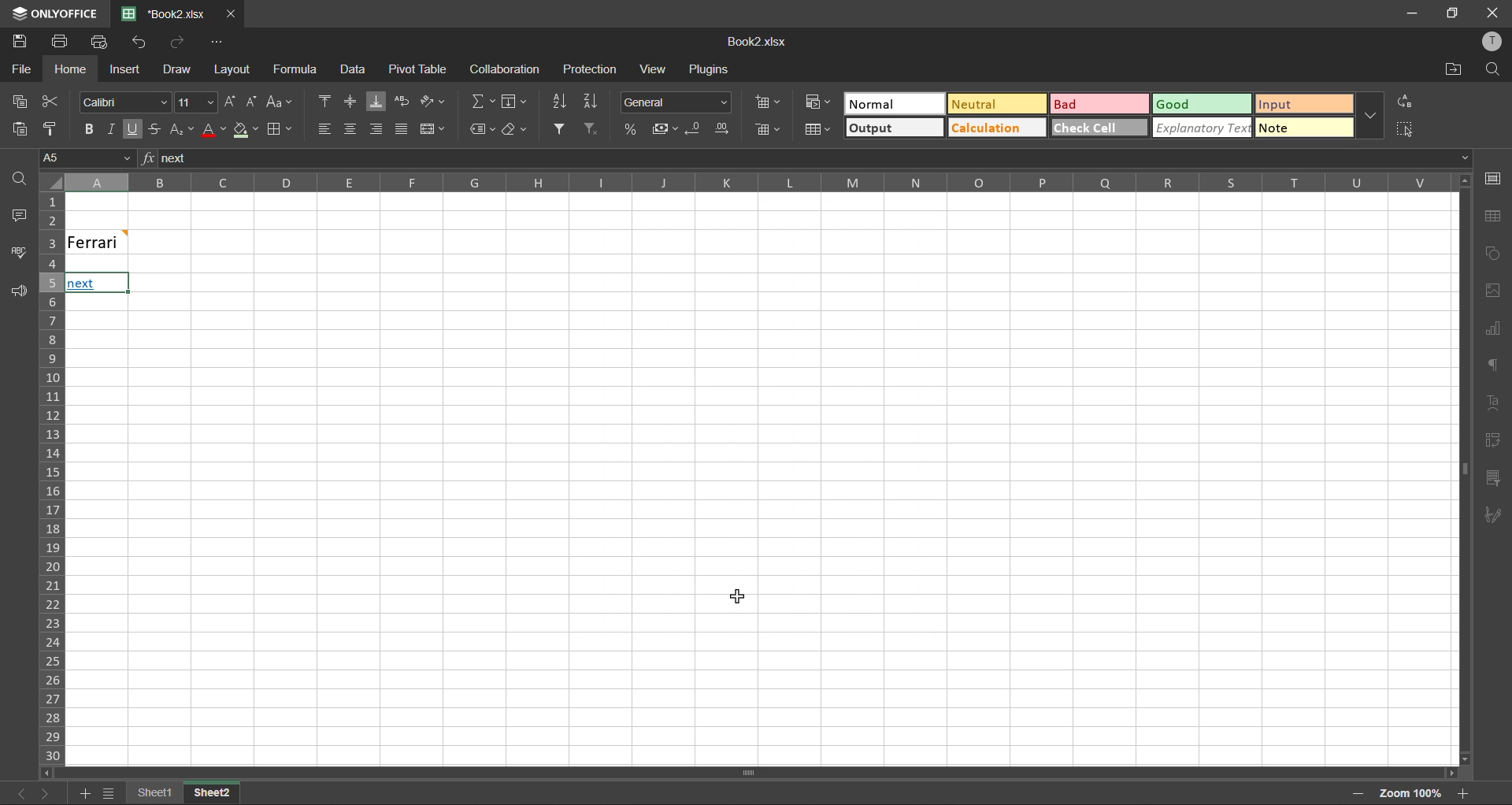  I want to click on data, so click(358, 71).